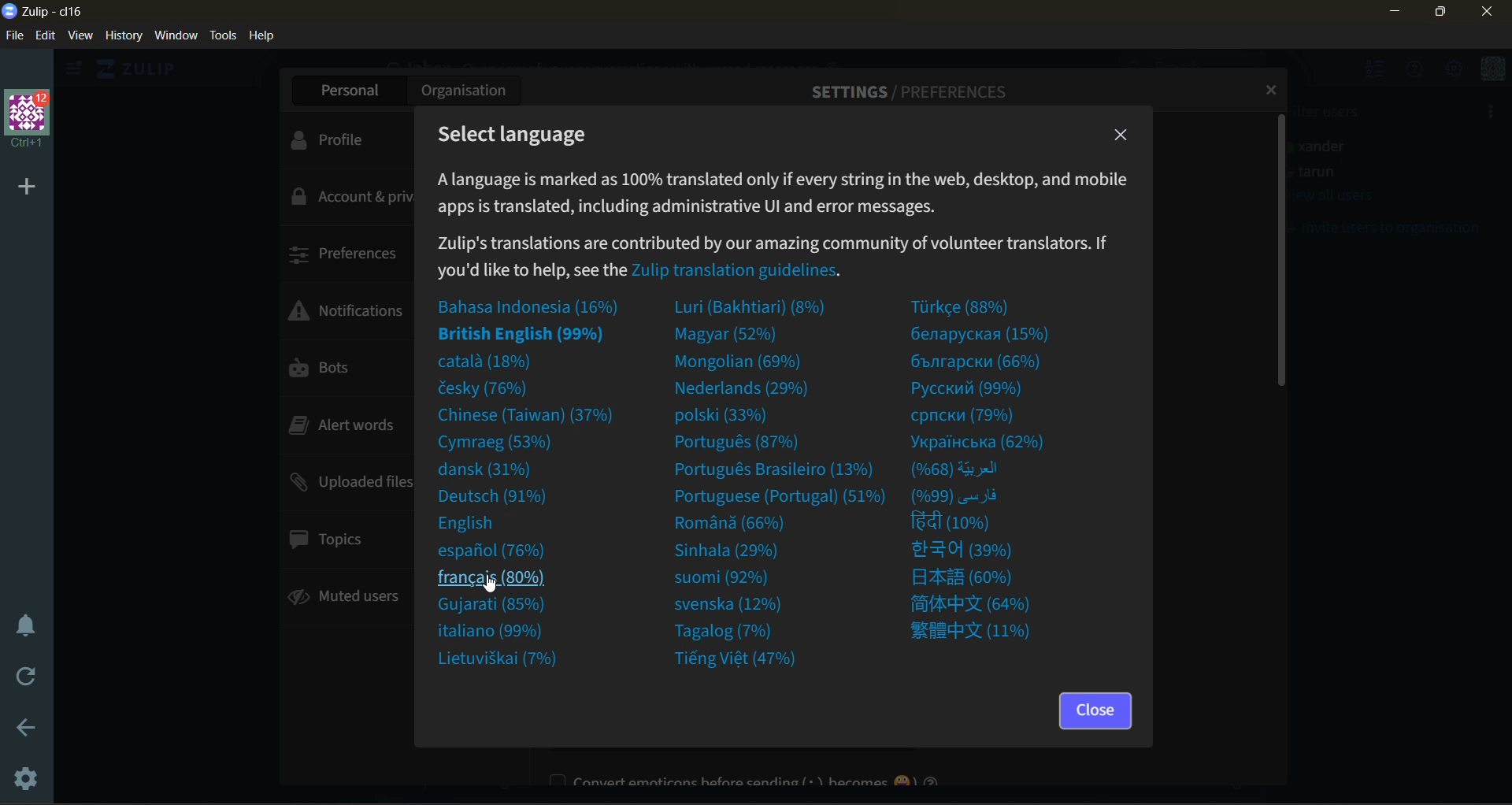 The image size is (1512, 805). What do you see at coordinates (28, 776) in the screenshot?
I see `settings` at bounding box center [28, 776].